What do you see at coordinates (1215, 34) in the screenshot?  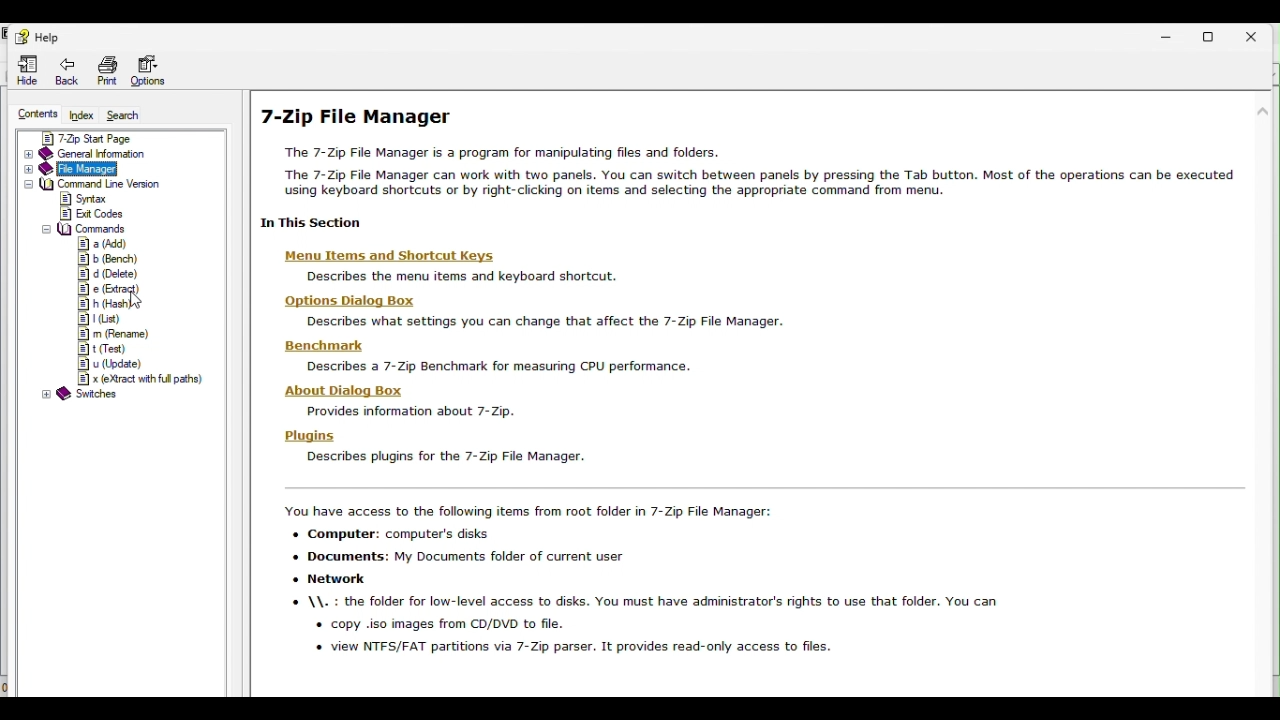 I see `restore` at bounding box center [1215, 34].